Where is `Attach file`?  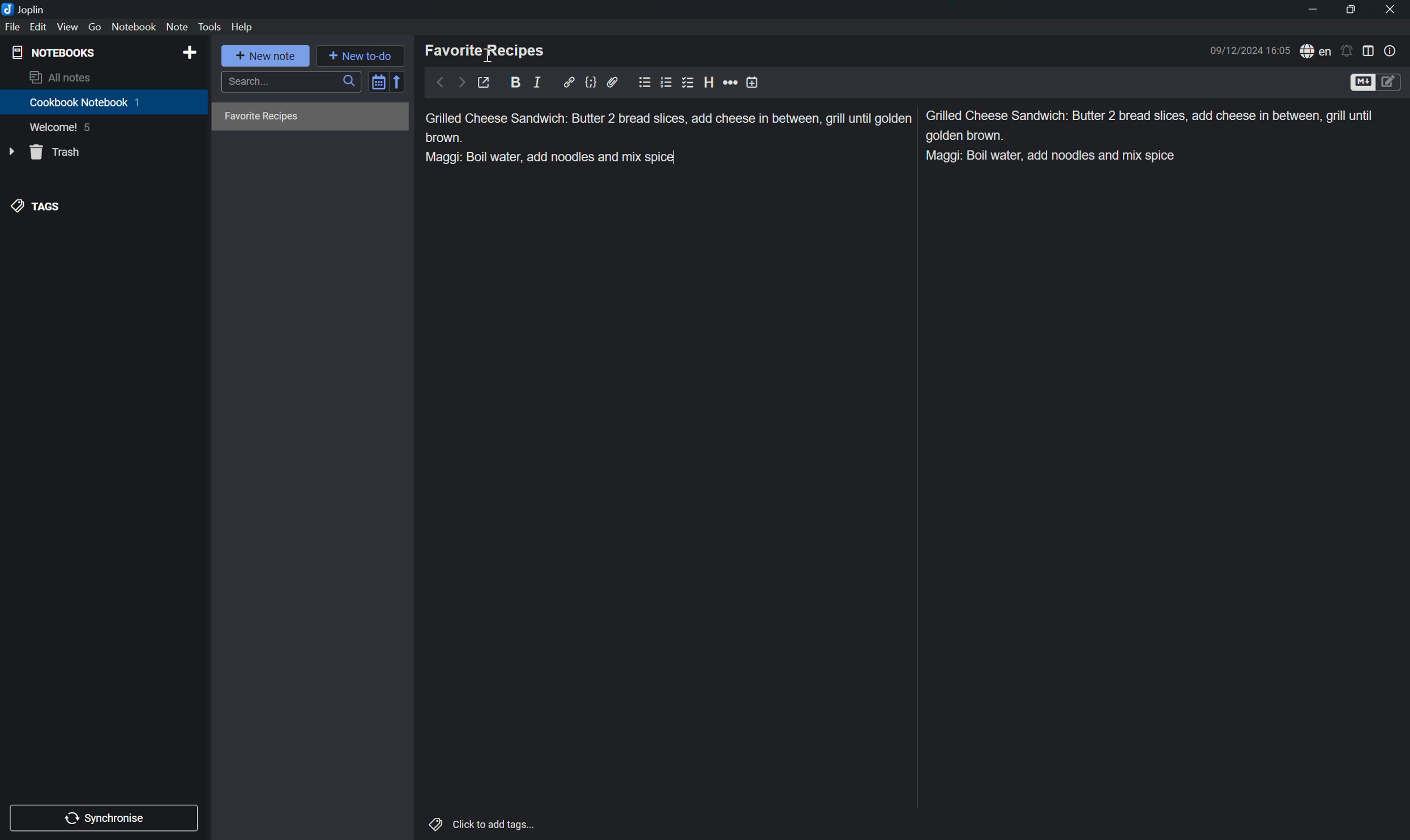 Attach file is located at coordinates (614, 83).